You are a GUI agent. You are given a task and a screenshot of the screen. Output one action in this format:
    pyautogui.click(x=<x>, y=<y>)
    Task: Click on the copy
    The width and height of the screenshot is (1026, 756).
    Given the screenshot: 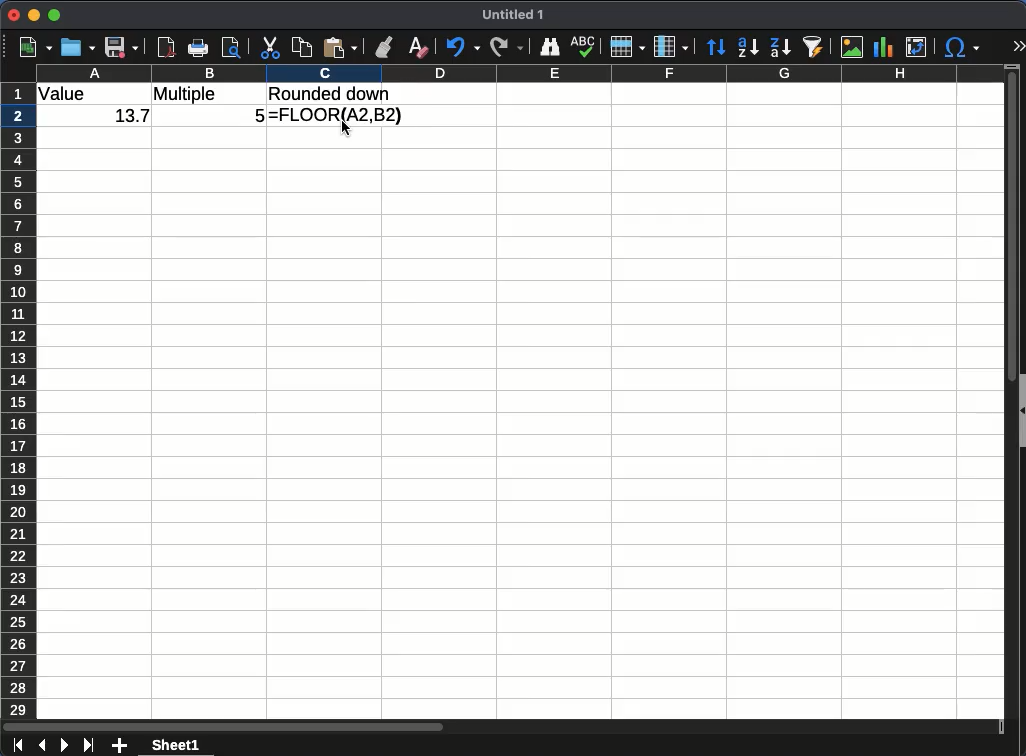 What is the action you would take?
    pyautogui.click(x=302, y=48)
    